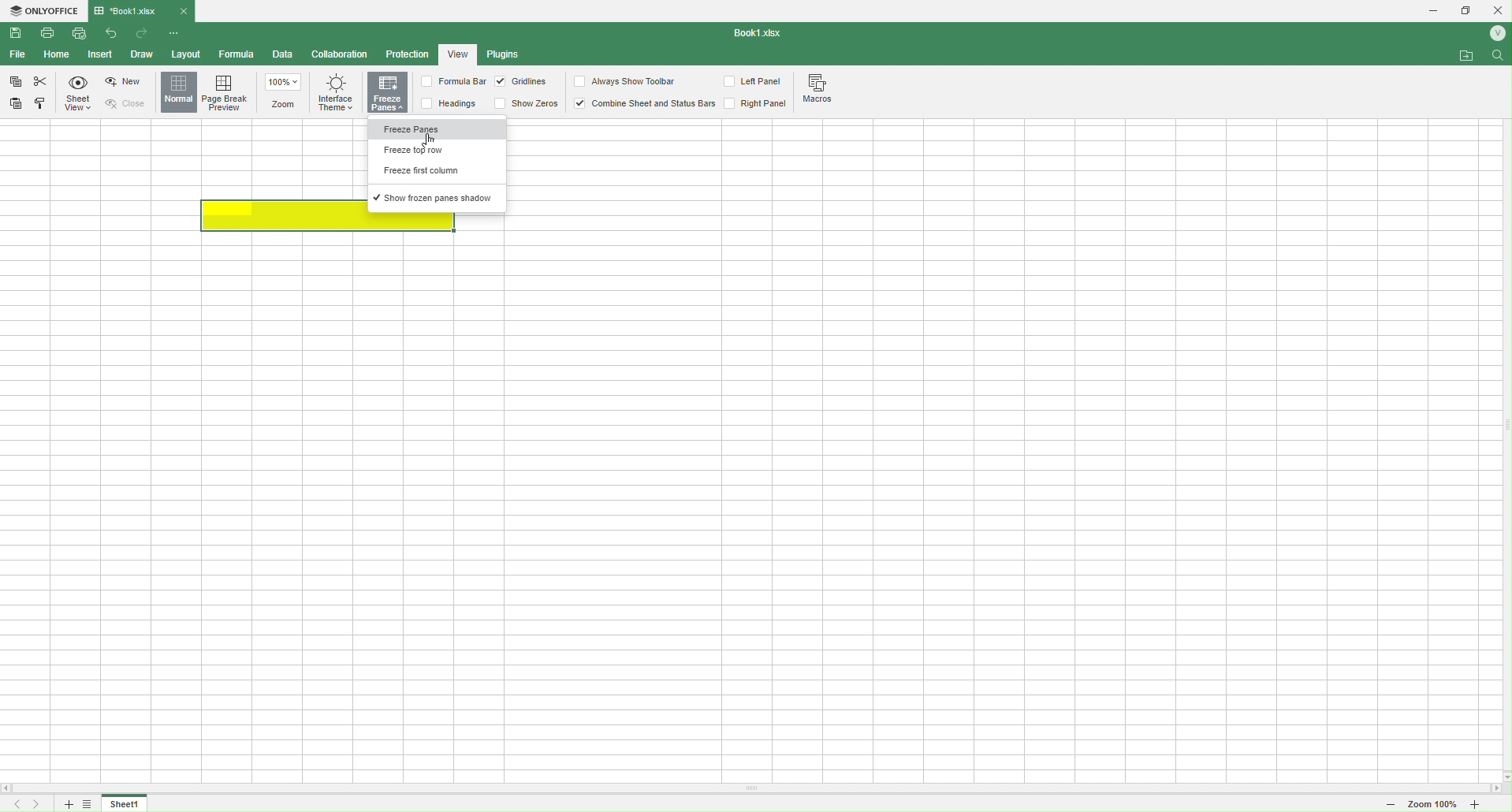 The height and width of the screenshot is (812, 1512). Describe the element at coordinates (143, 35) in the screenshot. I see `Redo` at that location.